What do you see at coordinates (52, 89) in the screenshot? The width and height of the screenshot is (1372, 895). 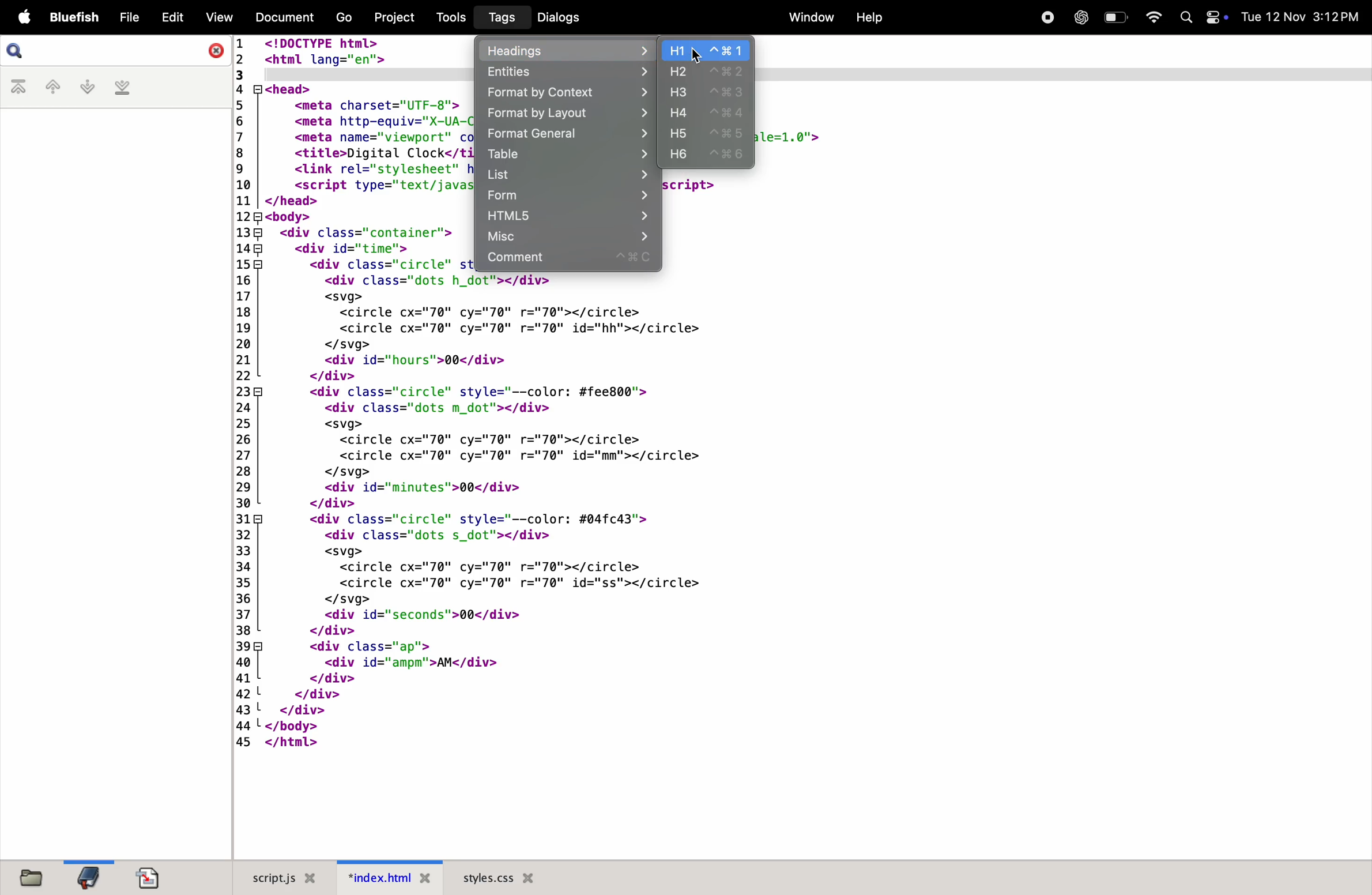 I see `previous book mark` at bounding box center [52, 89].